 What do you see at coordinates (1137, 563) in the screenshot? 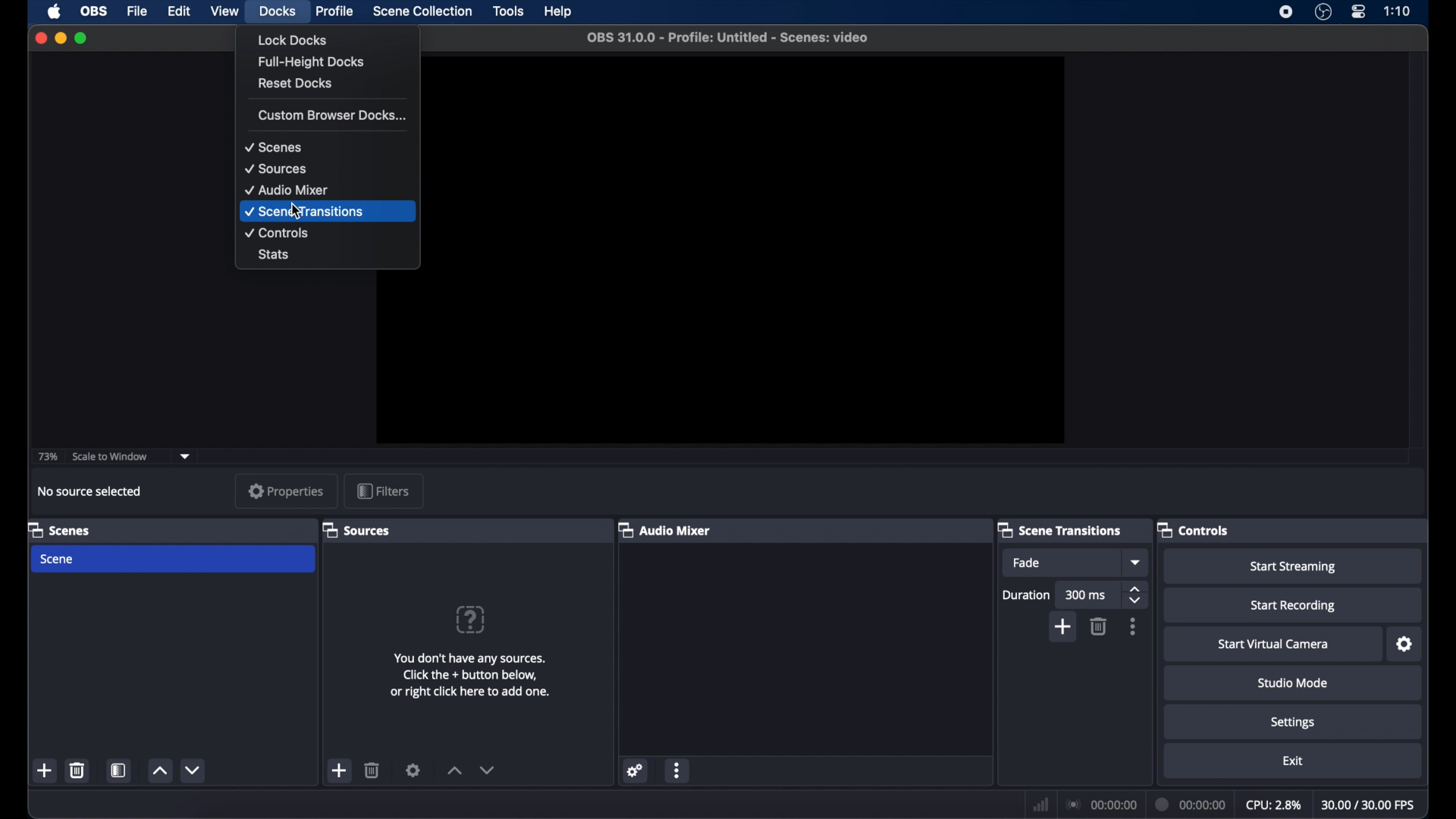
I see `dropdown` at bounding box center [1137, 563].